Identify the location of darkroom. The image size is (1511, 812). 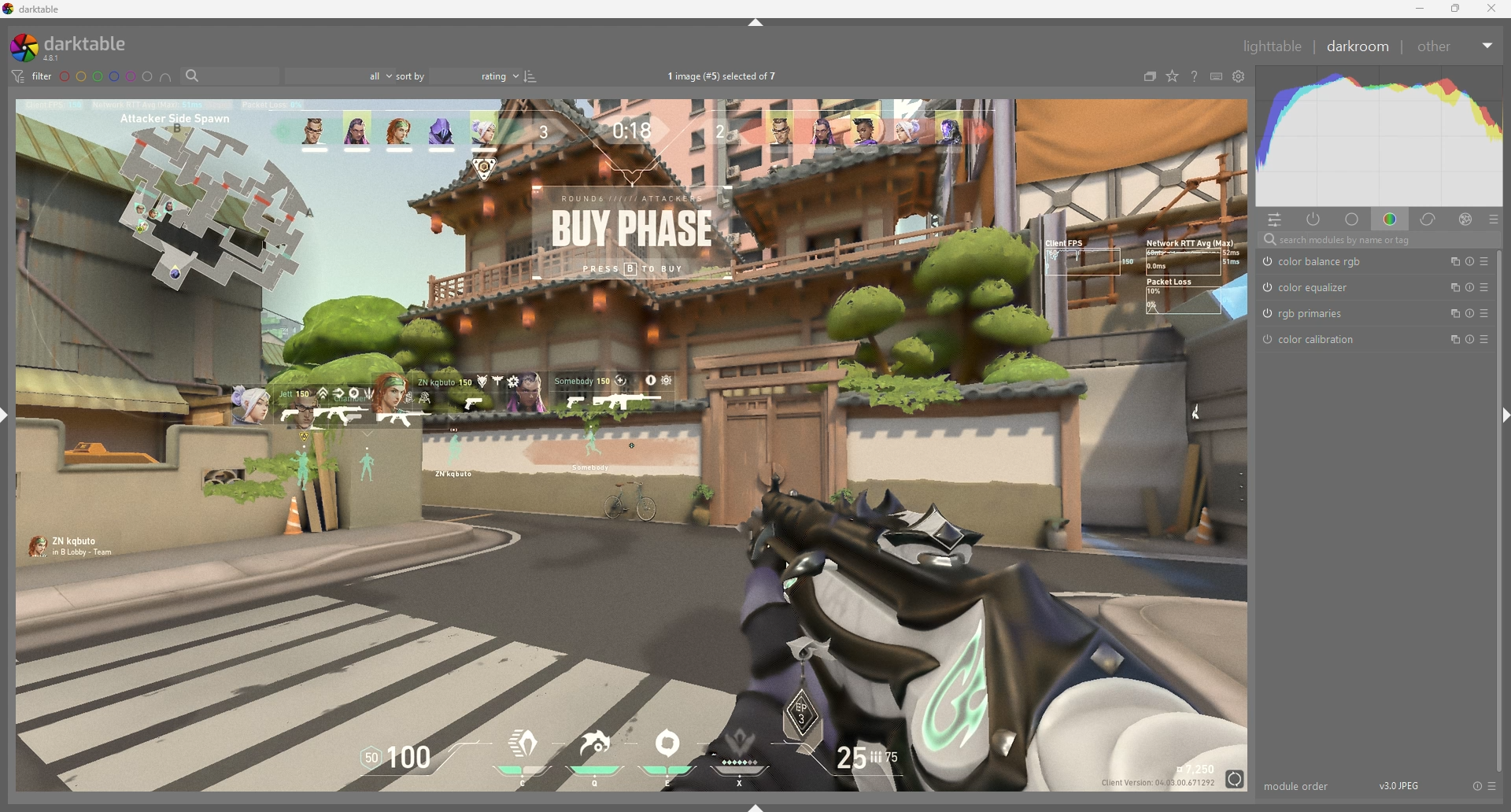
(1358, 45).